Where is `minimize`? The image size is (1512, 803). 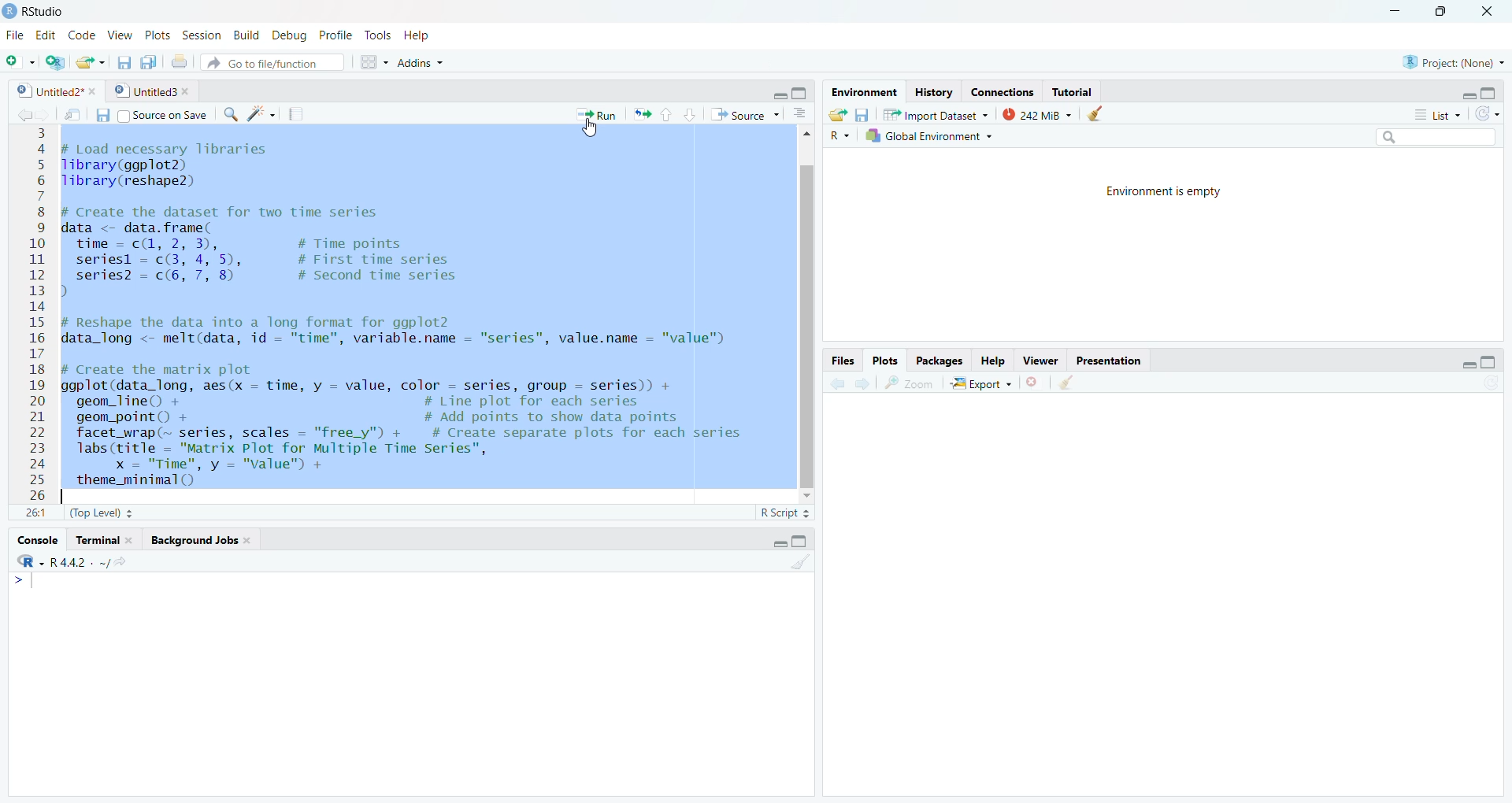 minimize is located at coordinates (1468, 364).